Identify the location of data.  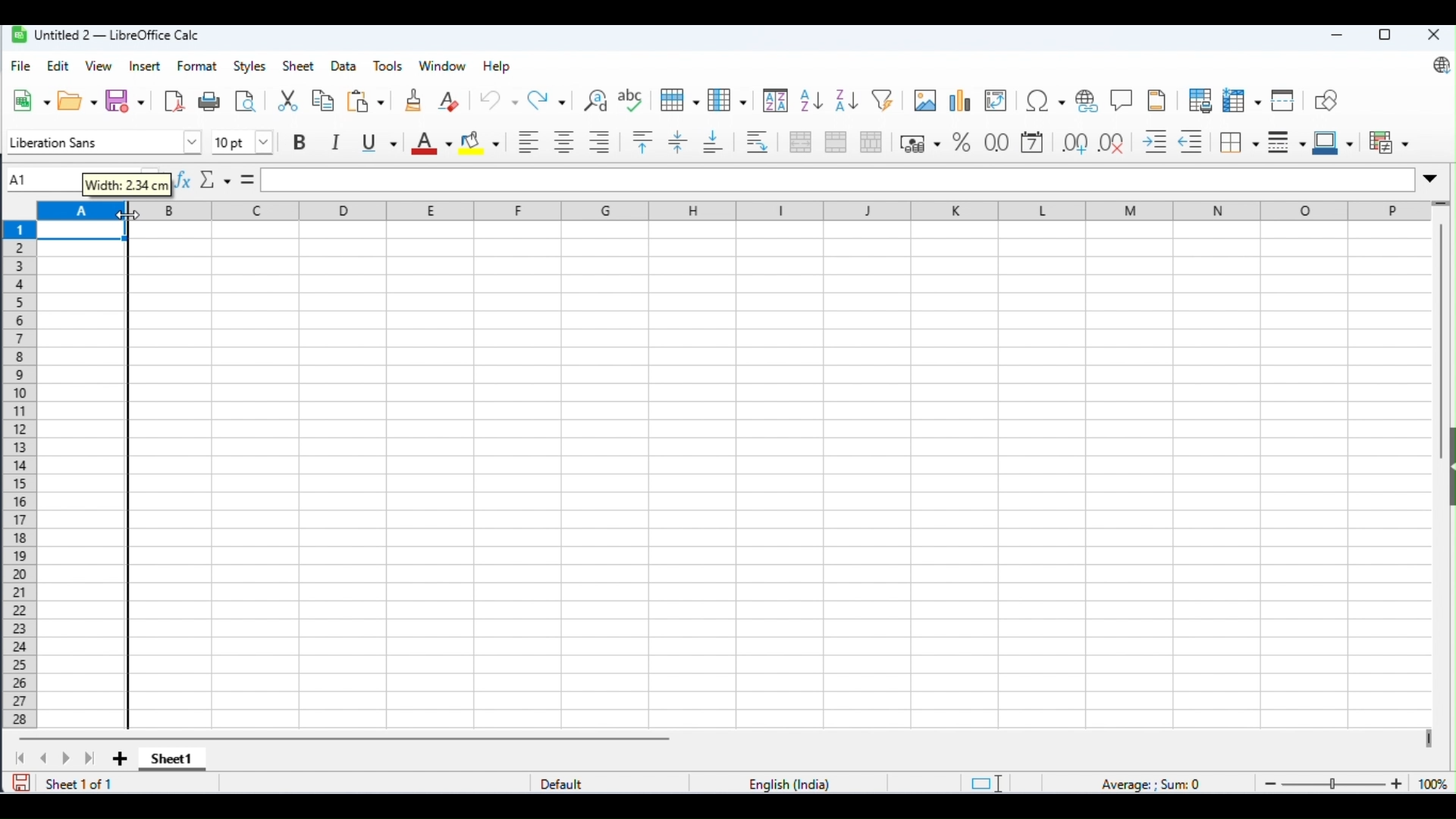
(345, 67).